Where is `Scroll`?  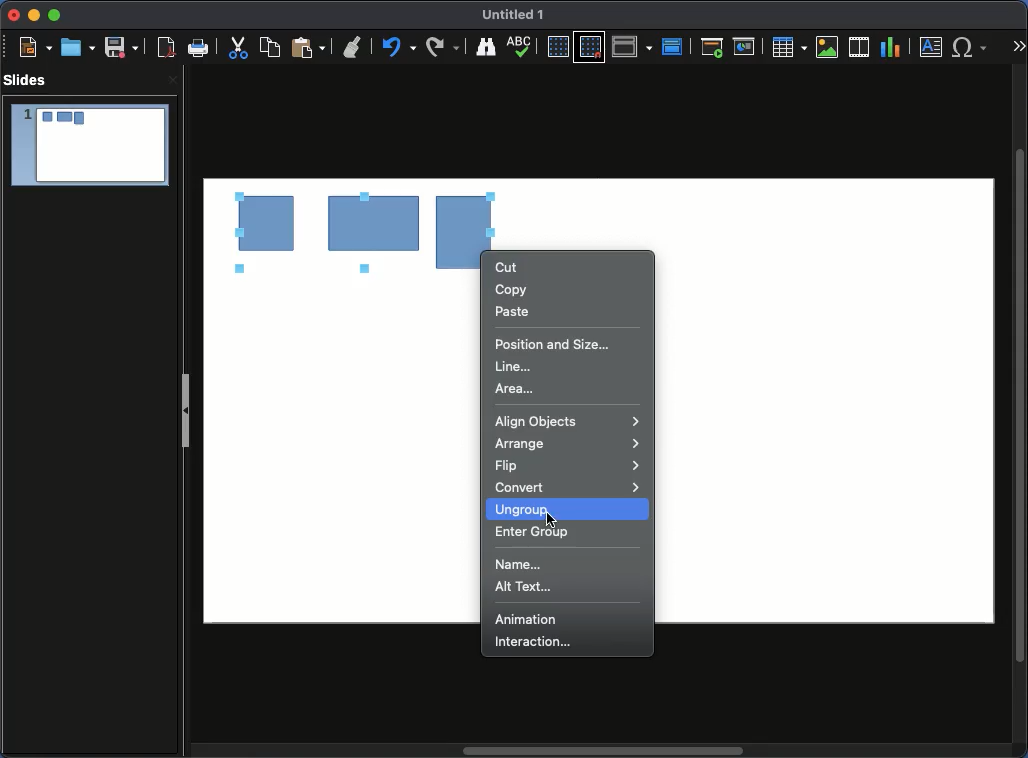
Scroll is located at coordinates (1020, 406).